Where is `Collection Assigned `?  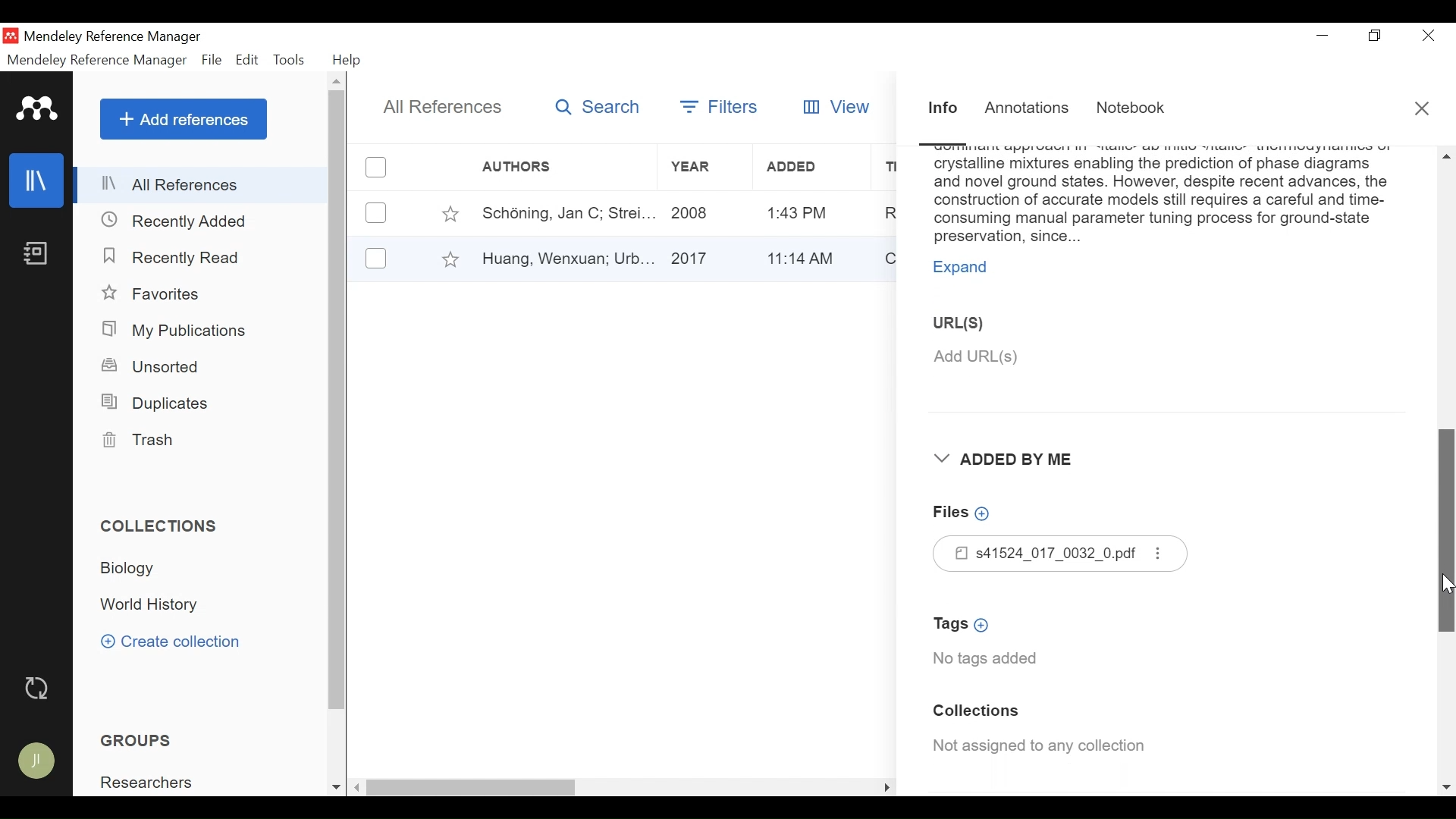
Collection Assigned  is located at coordinates (1046, 745).